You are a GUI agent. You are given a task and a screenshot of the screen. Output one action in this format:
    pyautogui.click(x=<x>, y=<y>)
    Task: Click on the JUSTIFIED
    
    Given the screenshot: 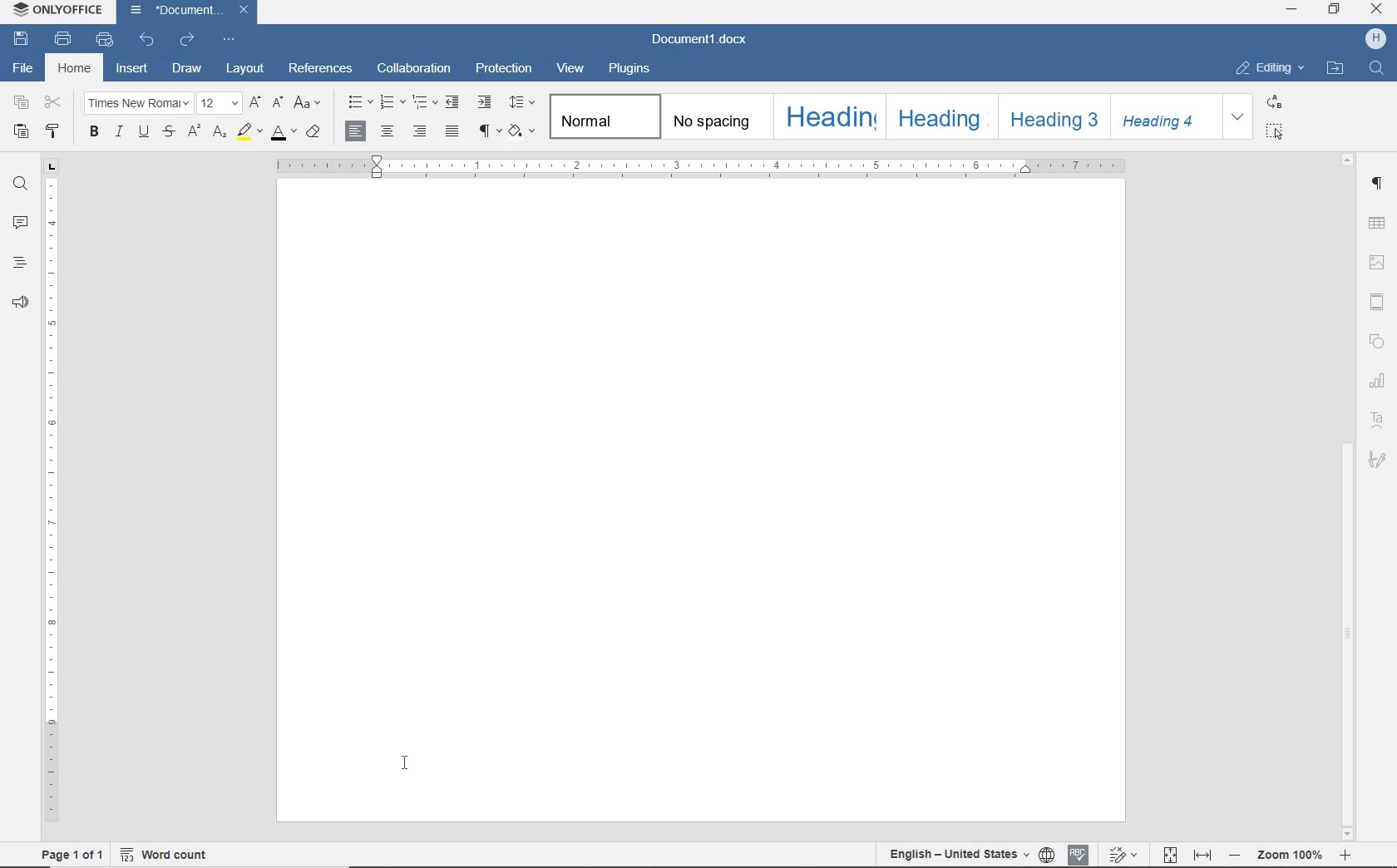 What is the action you would take?
    pyautogui.click(x=451, y=133)
    